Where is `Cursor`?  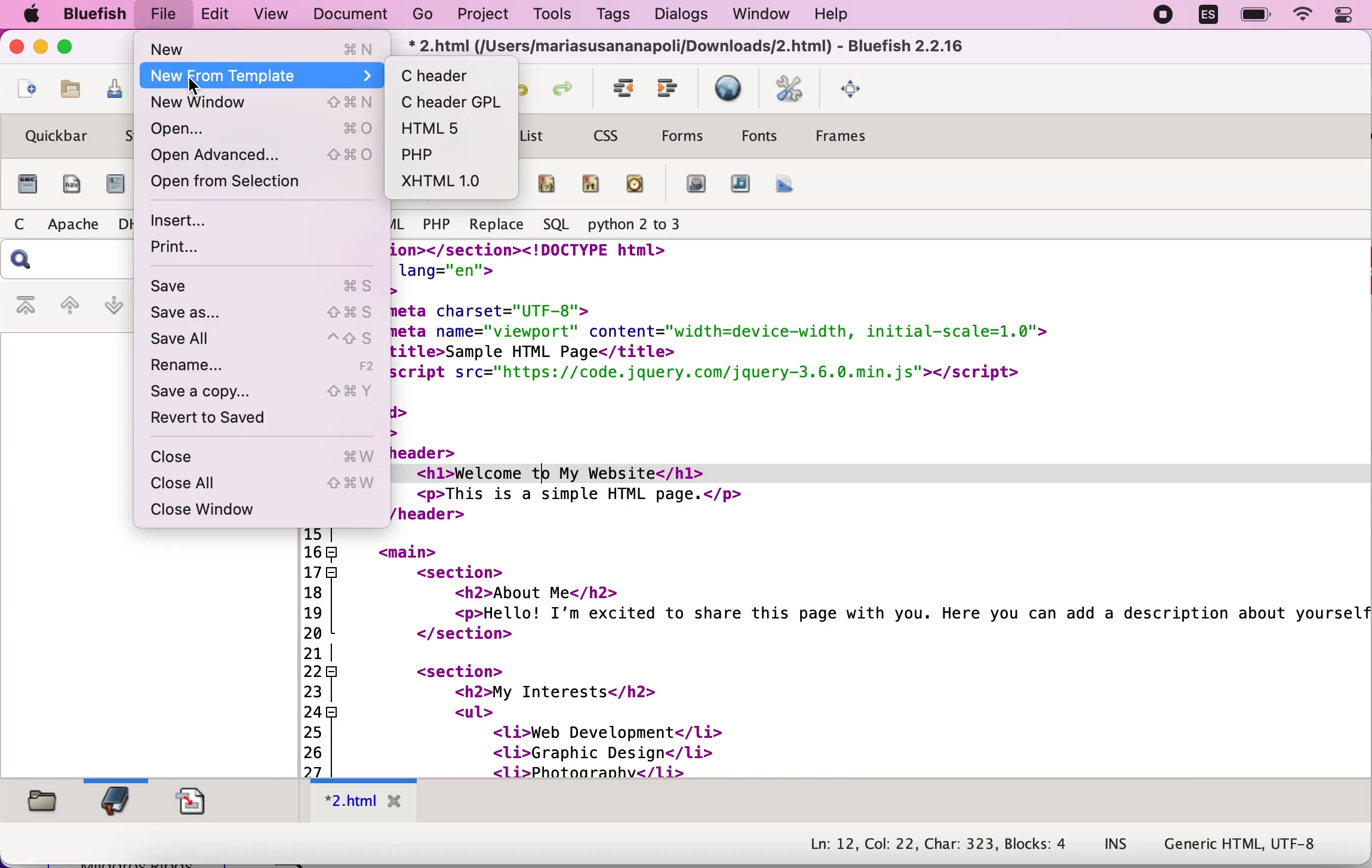 Cursor is located at coordinates (195, 87).